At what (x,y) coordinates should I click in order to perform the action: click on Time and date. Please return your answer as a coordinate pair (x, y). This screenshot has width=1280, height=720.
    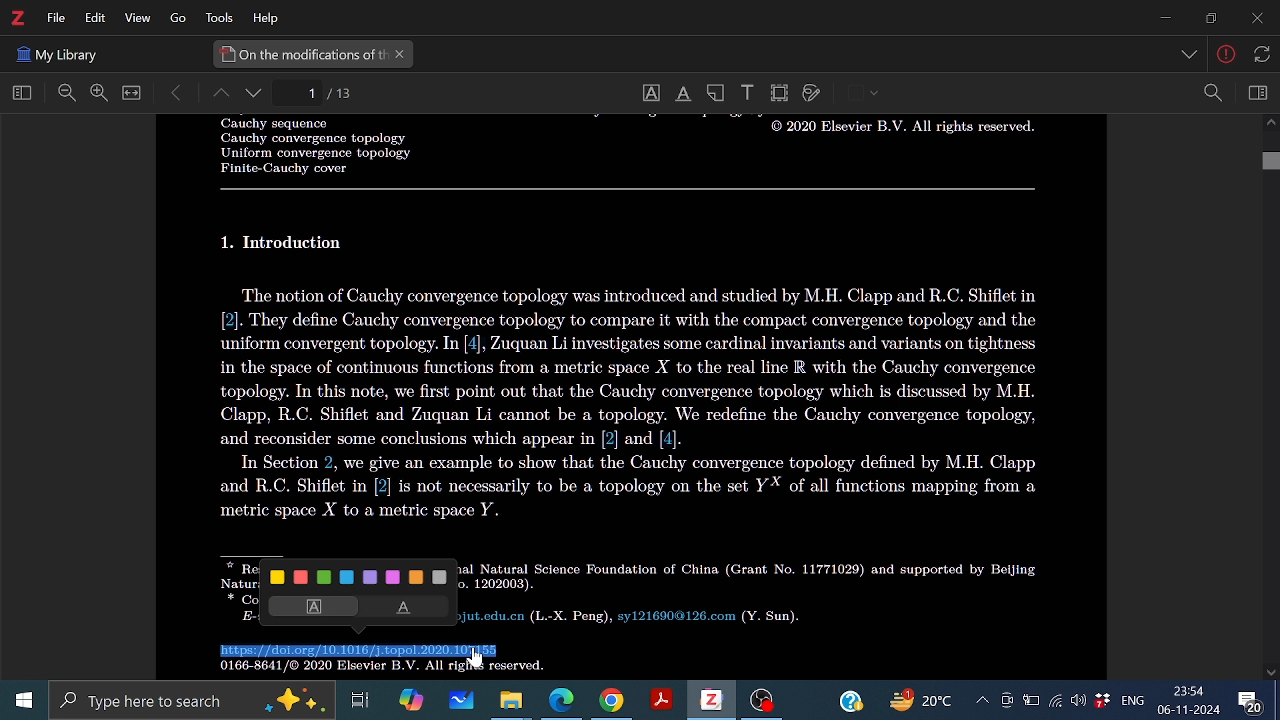
    Looking at the image, I should click on (1190, 701).